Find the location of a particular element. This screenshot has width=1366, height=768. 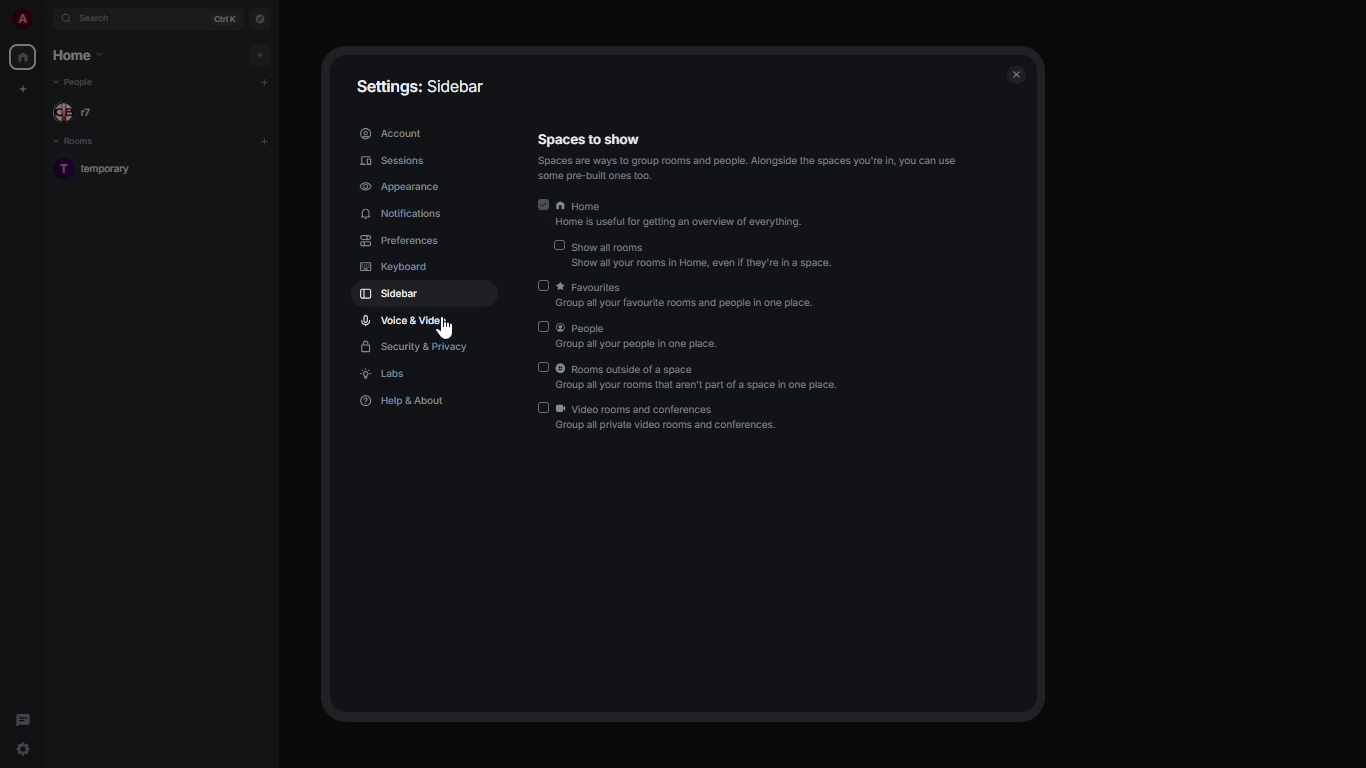

labs is located at coordinates (386, 376).